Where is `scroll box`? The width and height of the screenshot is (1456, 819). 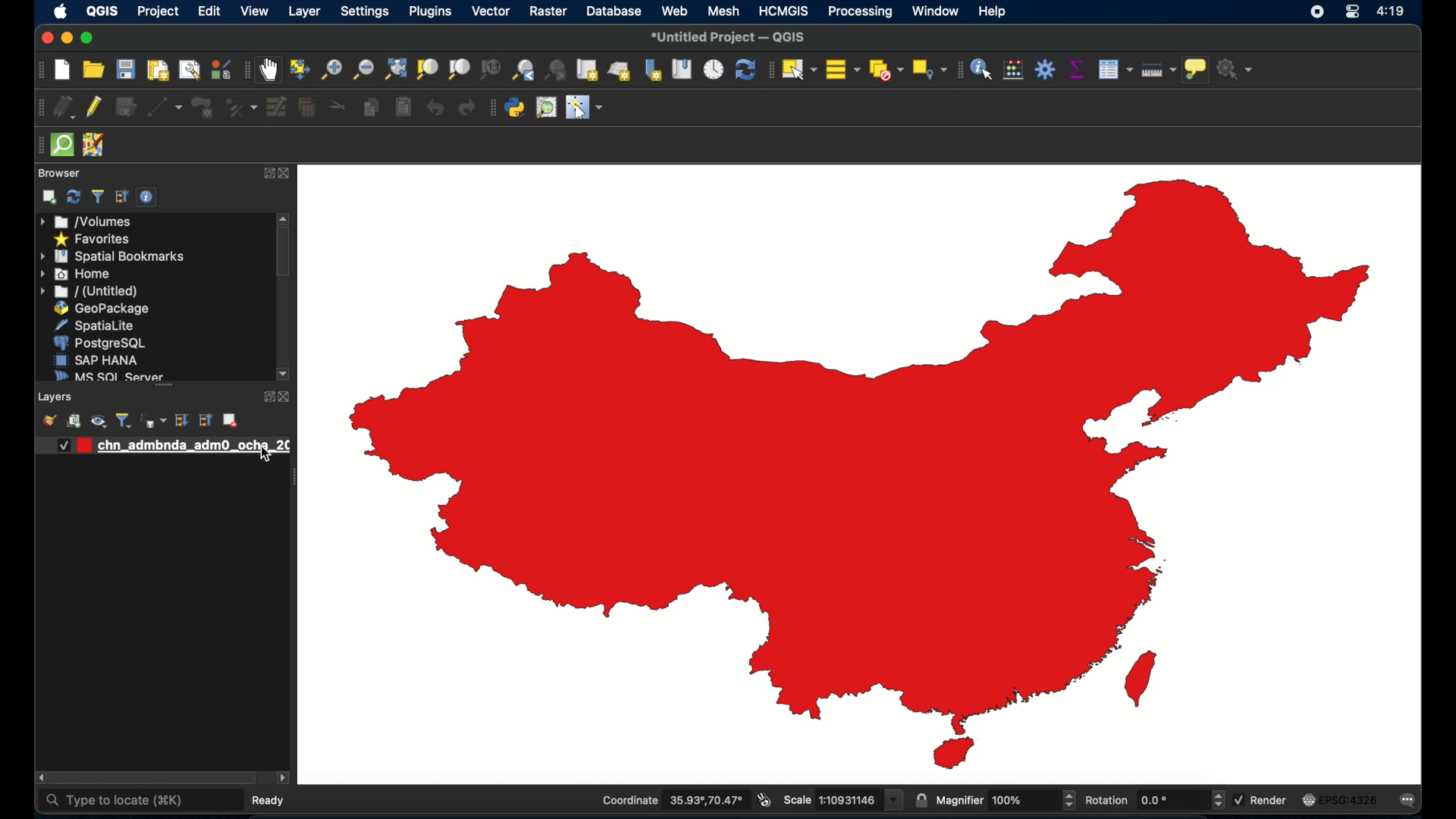 scroll box is located at coordinates (154, 779).